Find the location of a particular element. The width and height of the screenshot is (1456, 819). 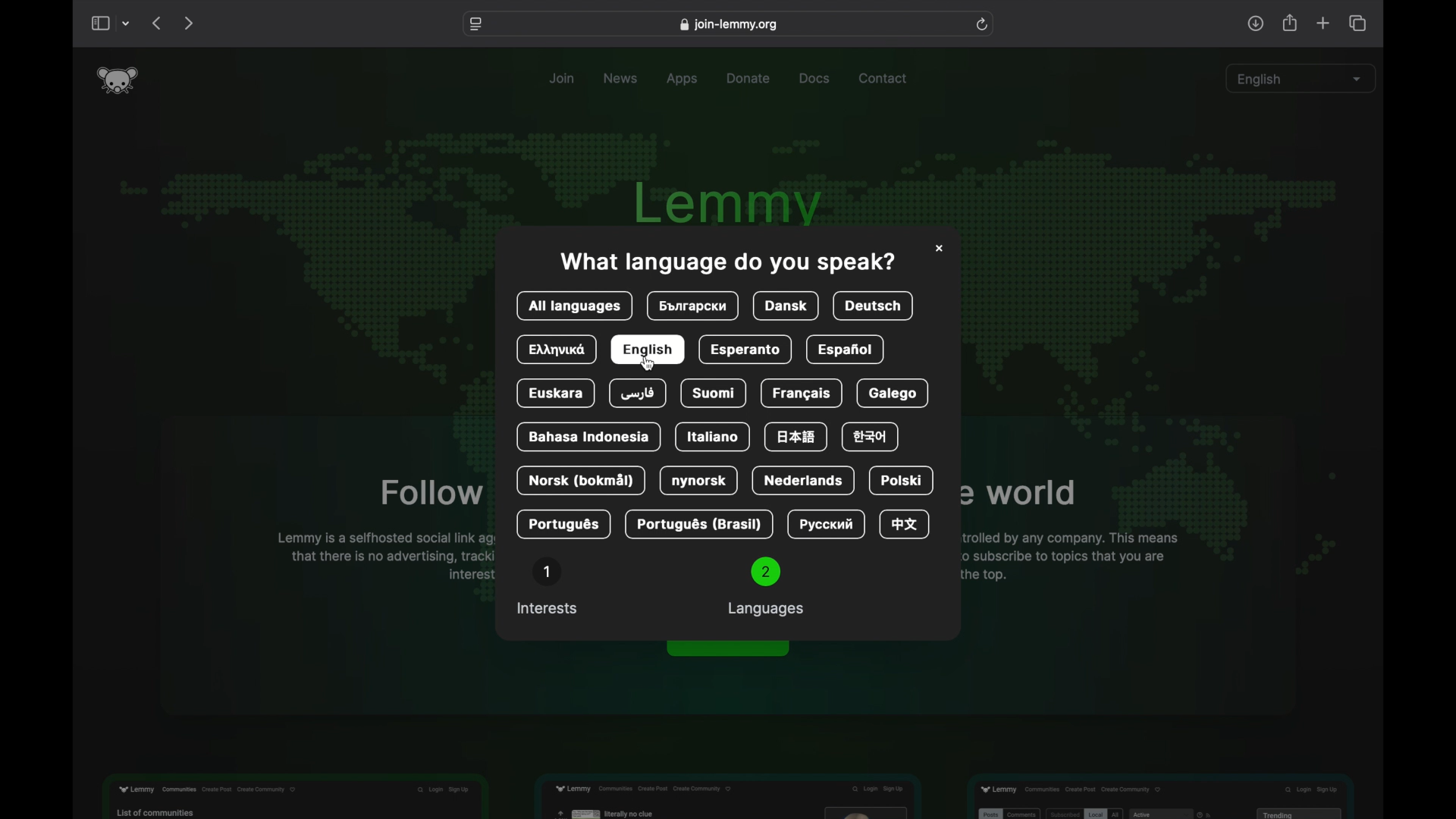

cursor is located at coordinates (646, 363).